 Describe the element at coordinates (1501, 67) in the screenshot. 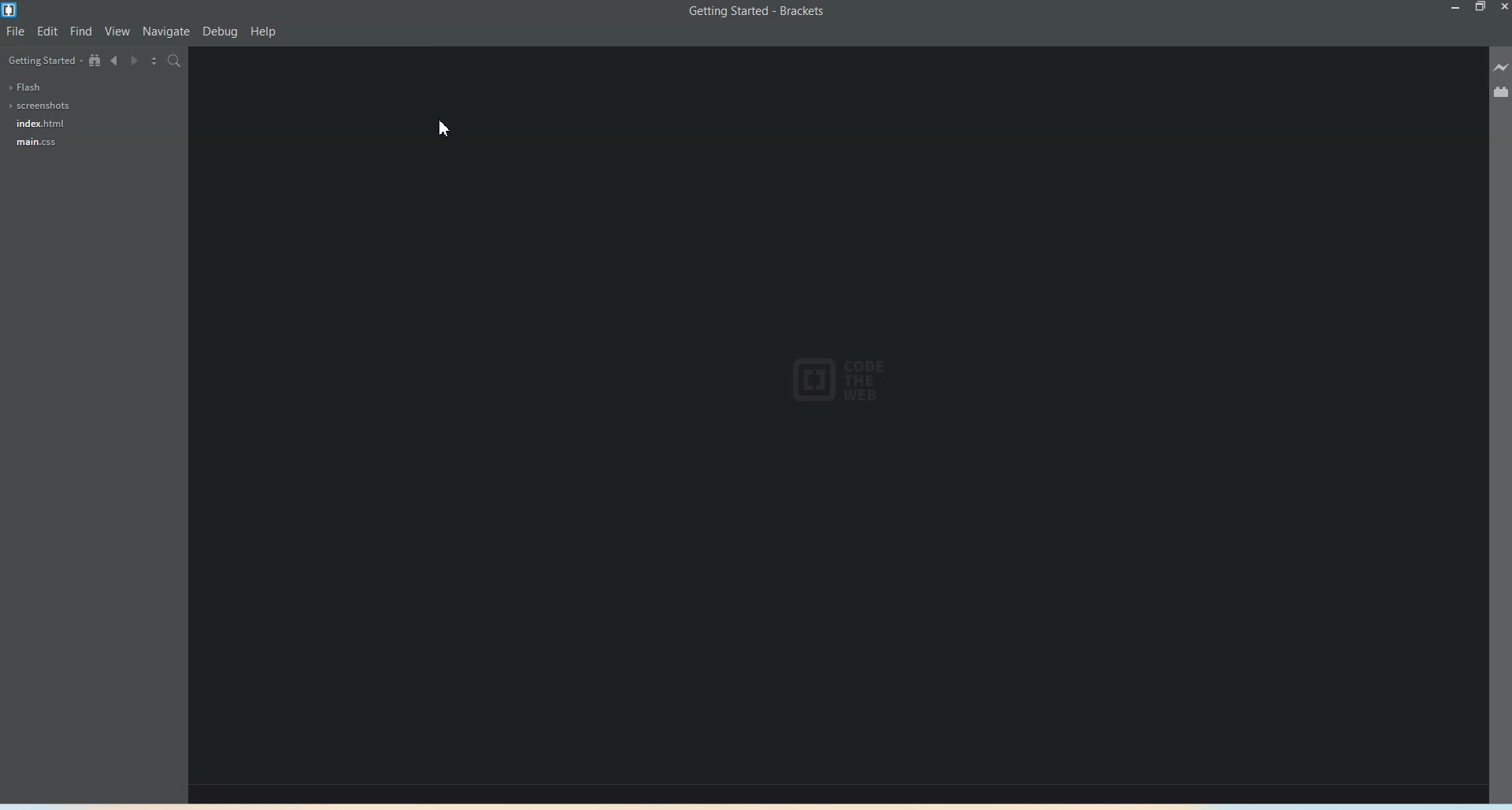

I see `Live Preview` at that location.